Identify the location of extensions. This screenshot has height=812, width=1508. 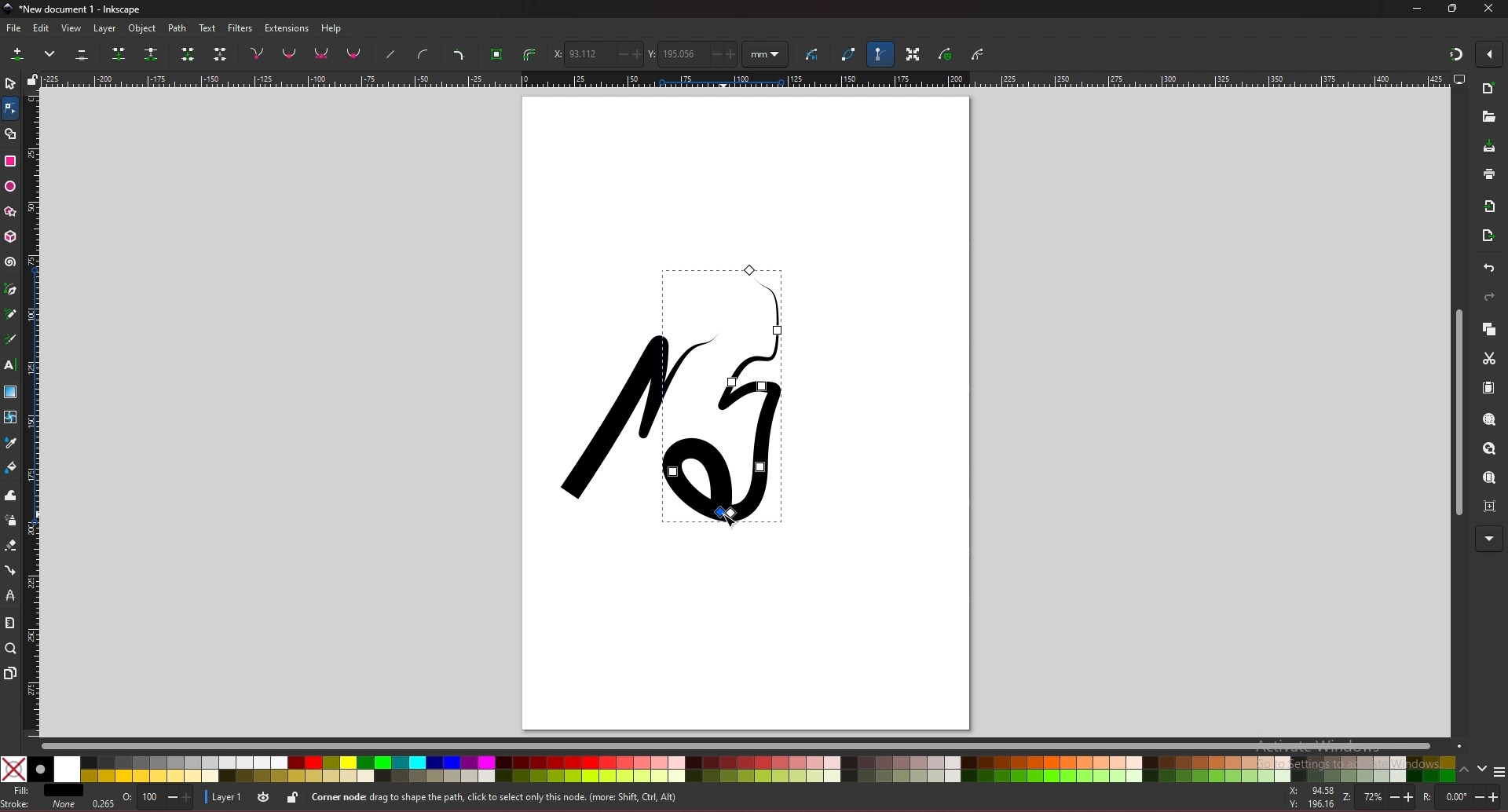
(287, 28).